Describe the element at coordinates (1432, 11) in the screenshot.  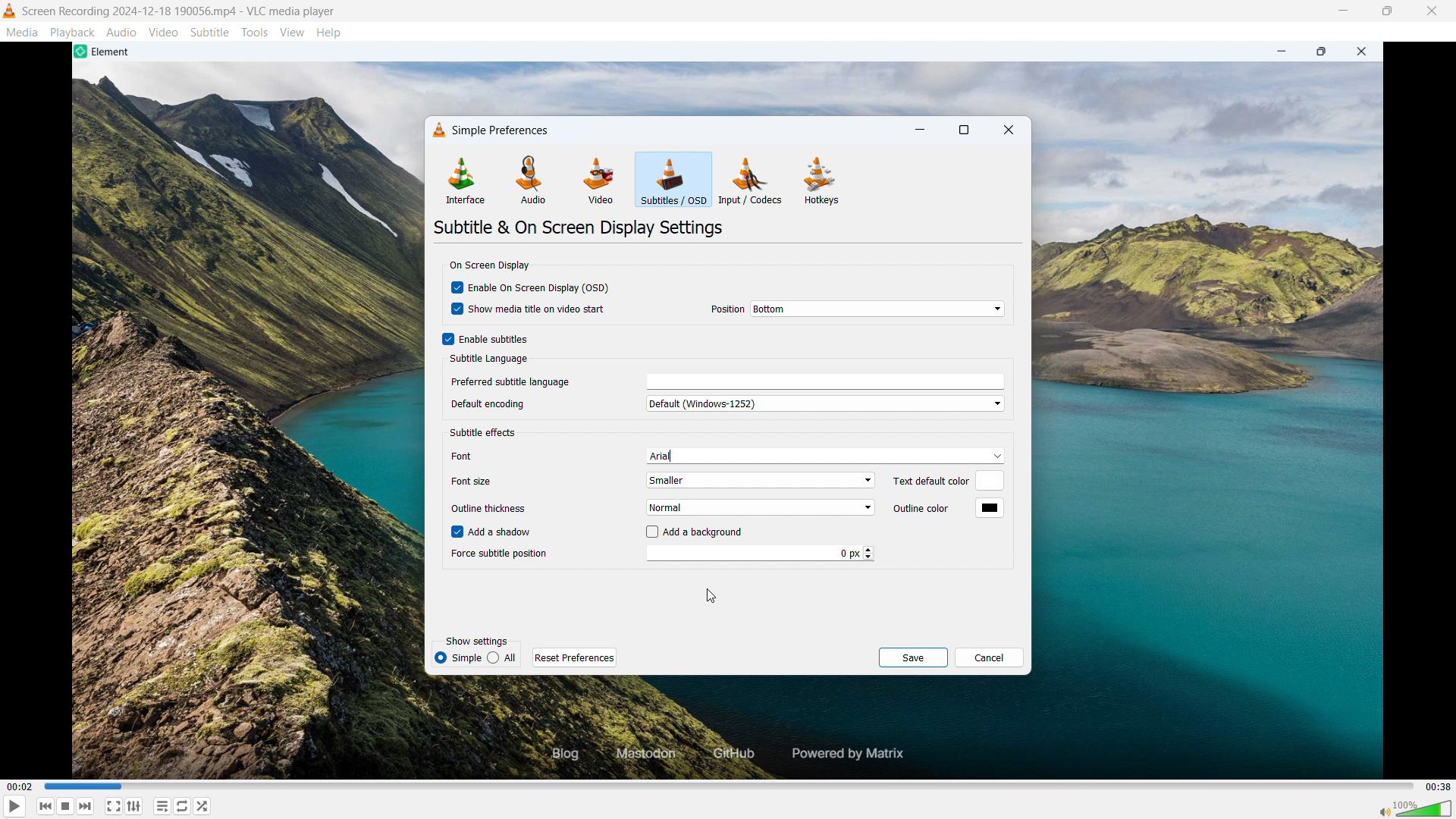
I see `close` at that location.